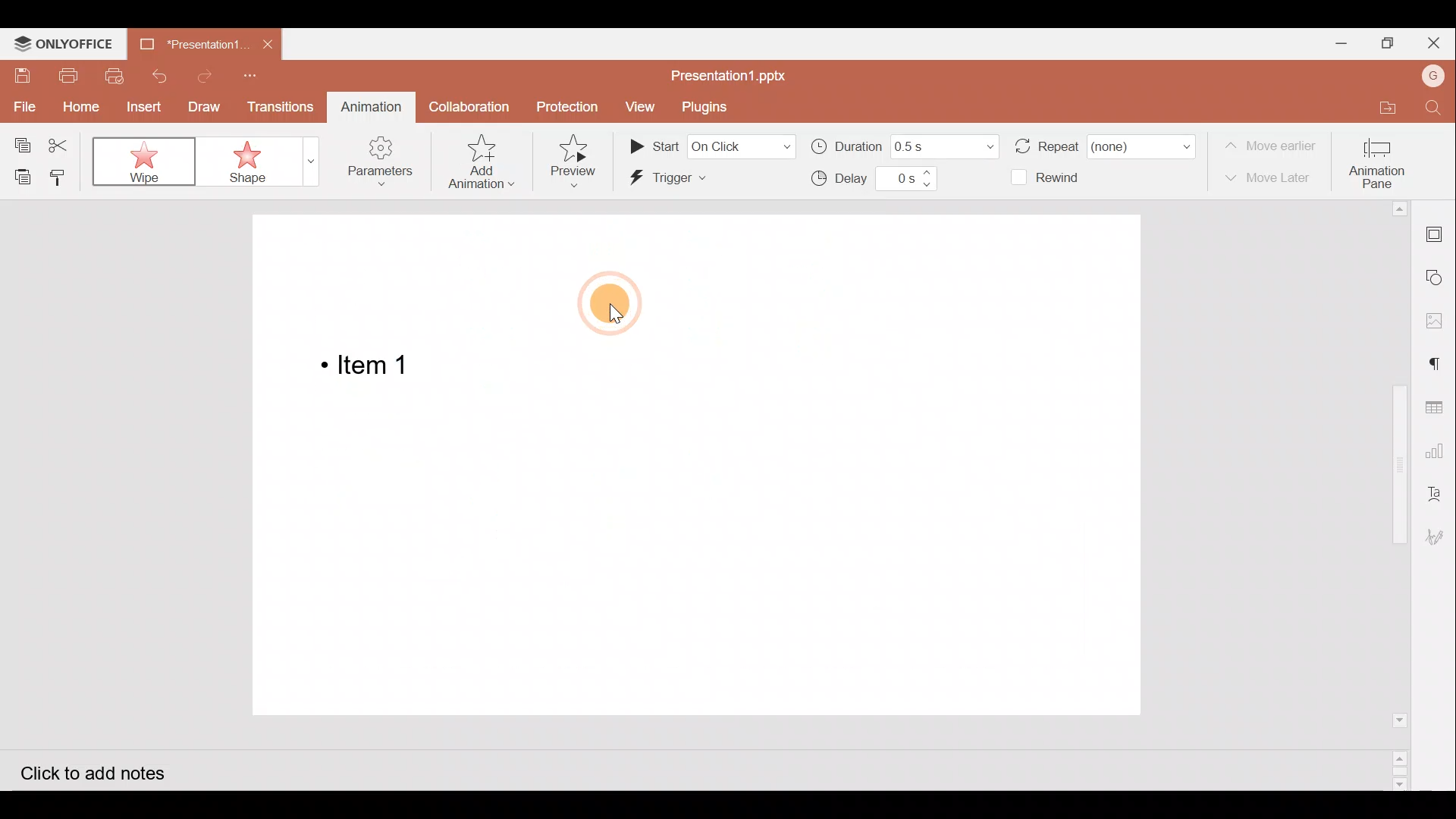  Describe the element at coordinates (62, 44) in the screenshot. I see `ONLYOFFICE` at that location.